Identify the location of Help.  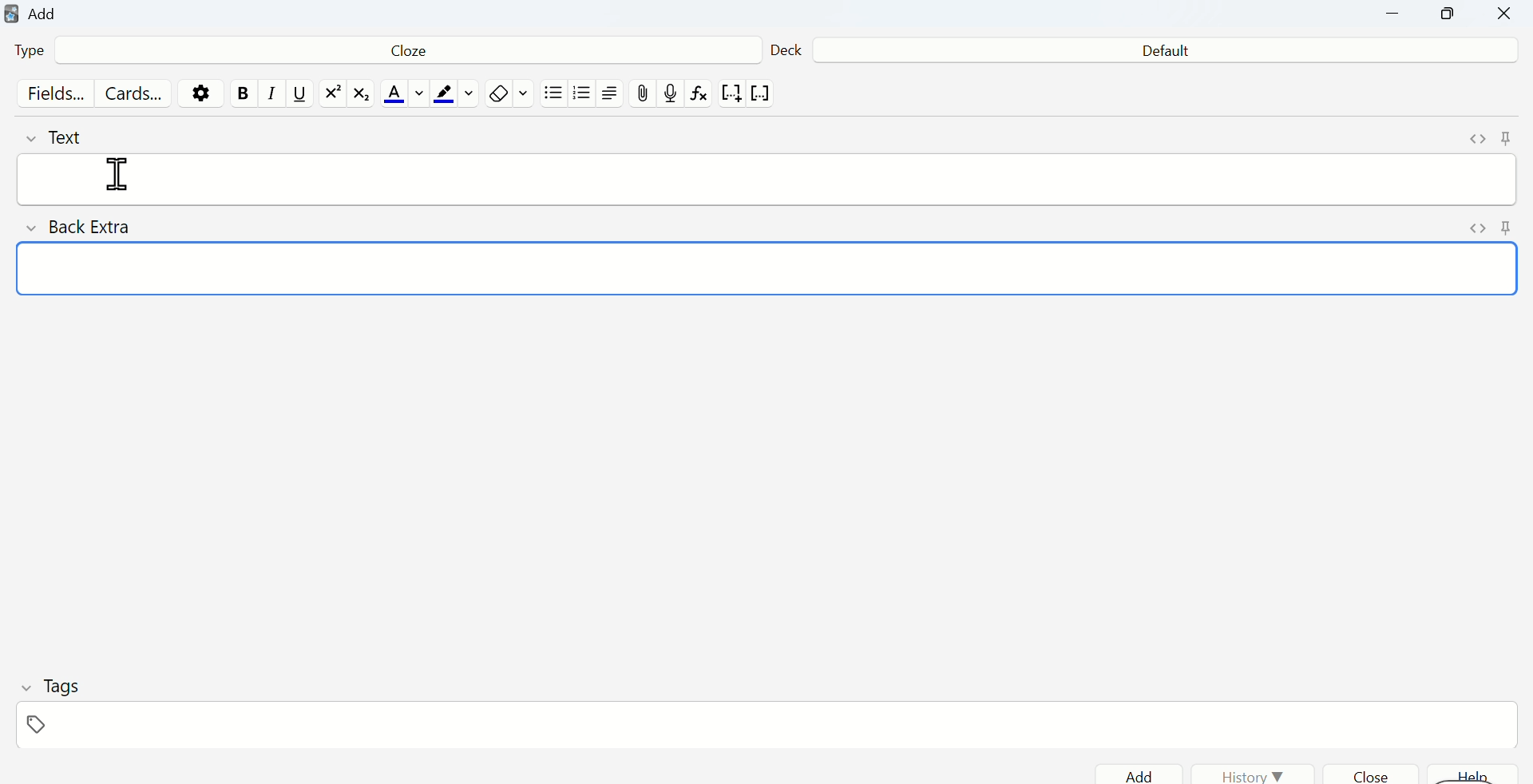
(1475, 774).